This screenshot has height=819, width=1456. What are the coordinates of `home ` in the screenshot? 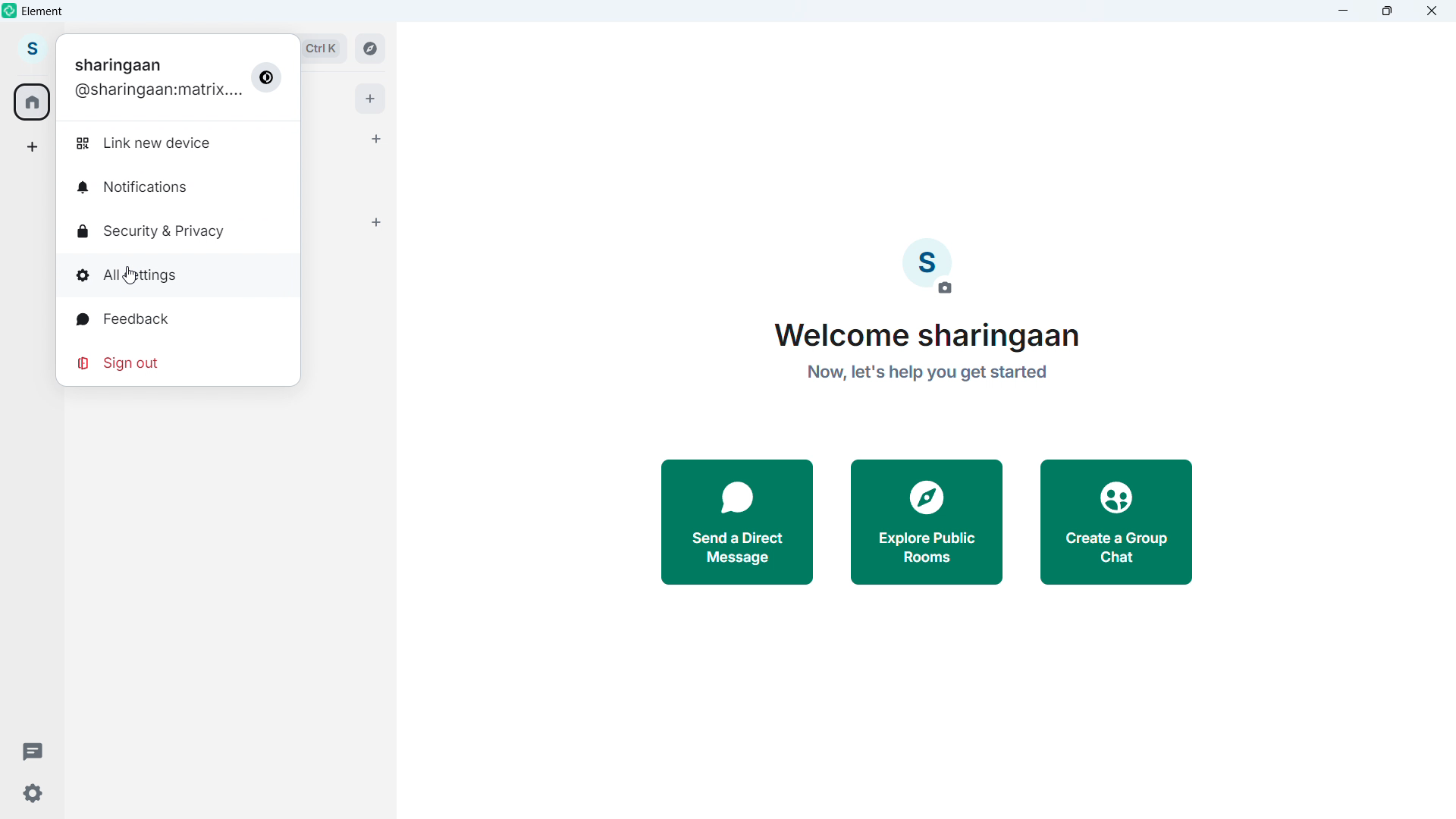 It's located at (33, 102).